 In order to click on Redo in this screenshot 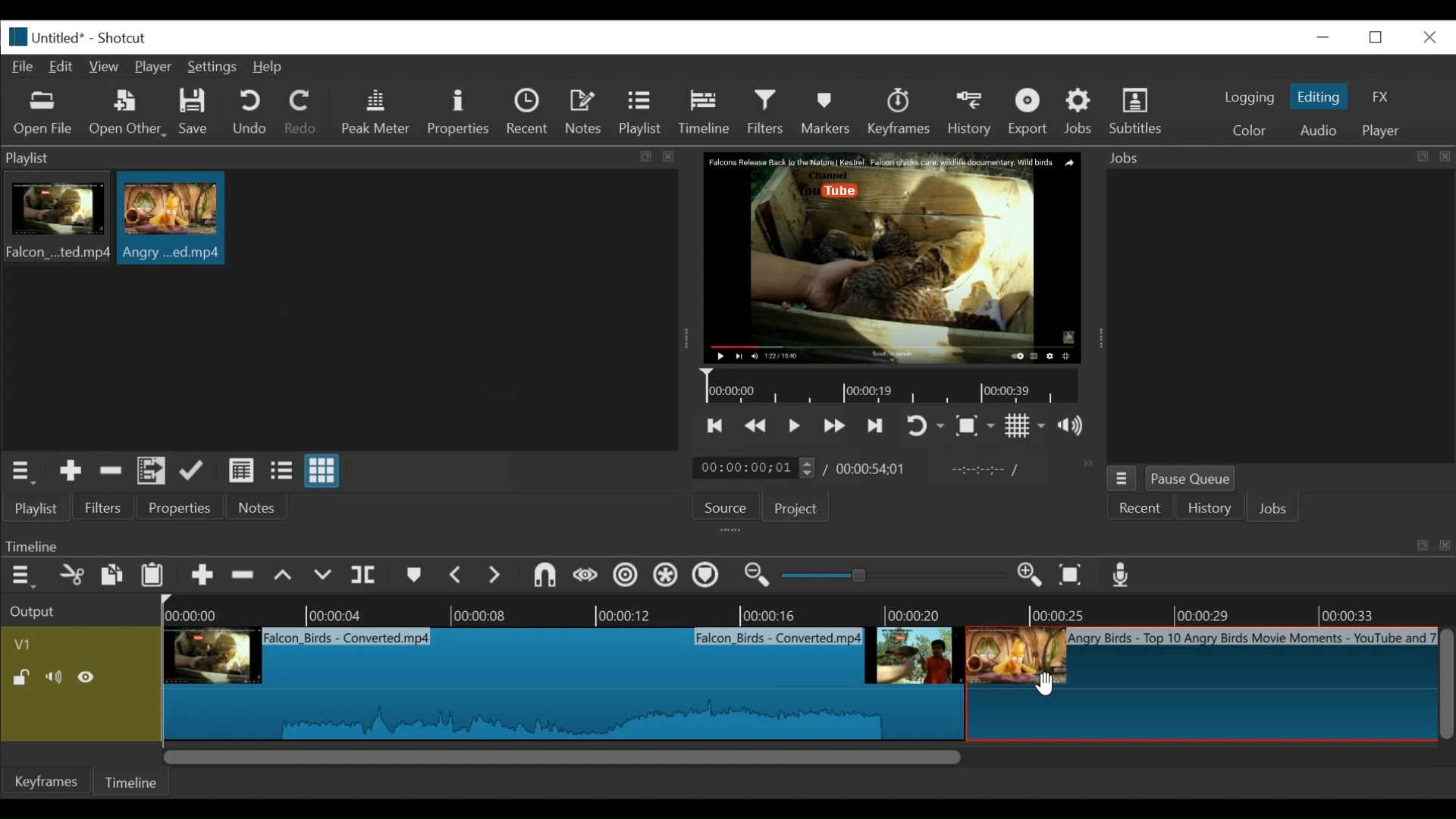, I will do `click(301, 115)`.